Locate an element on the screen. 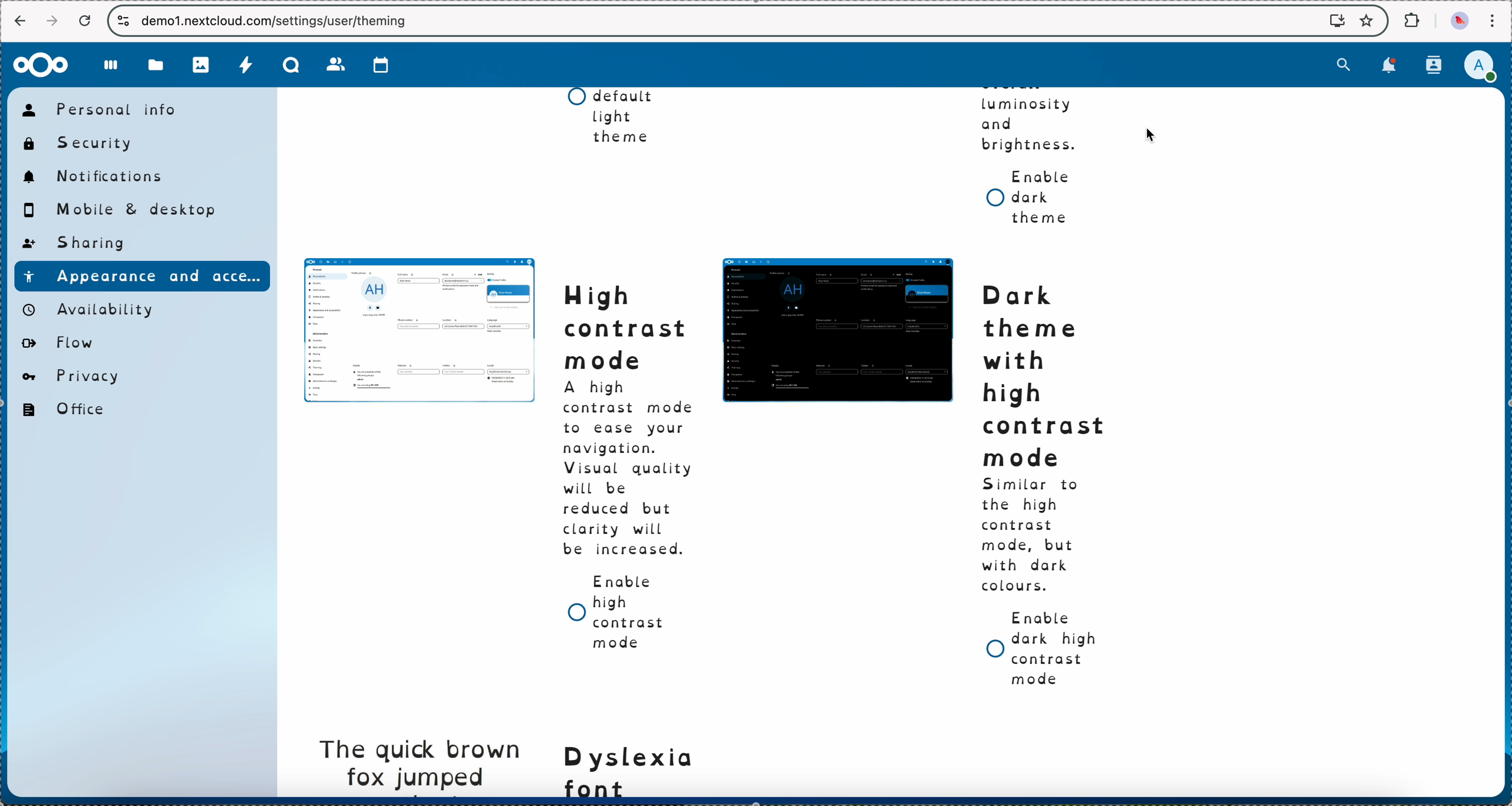 This screenshot has width=1512, height=806. favorites is located at coordinates (1368, 19).